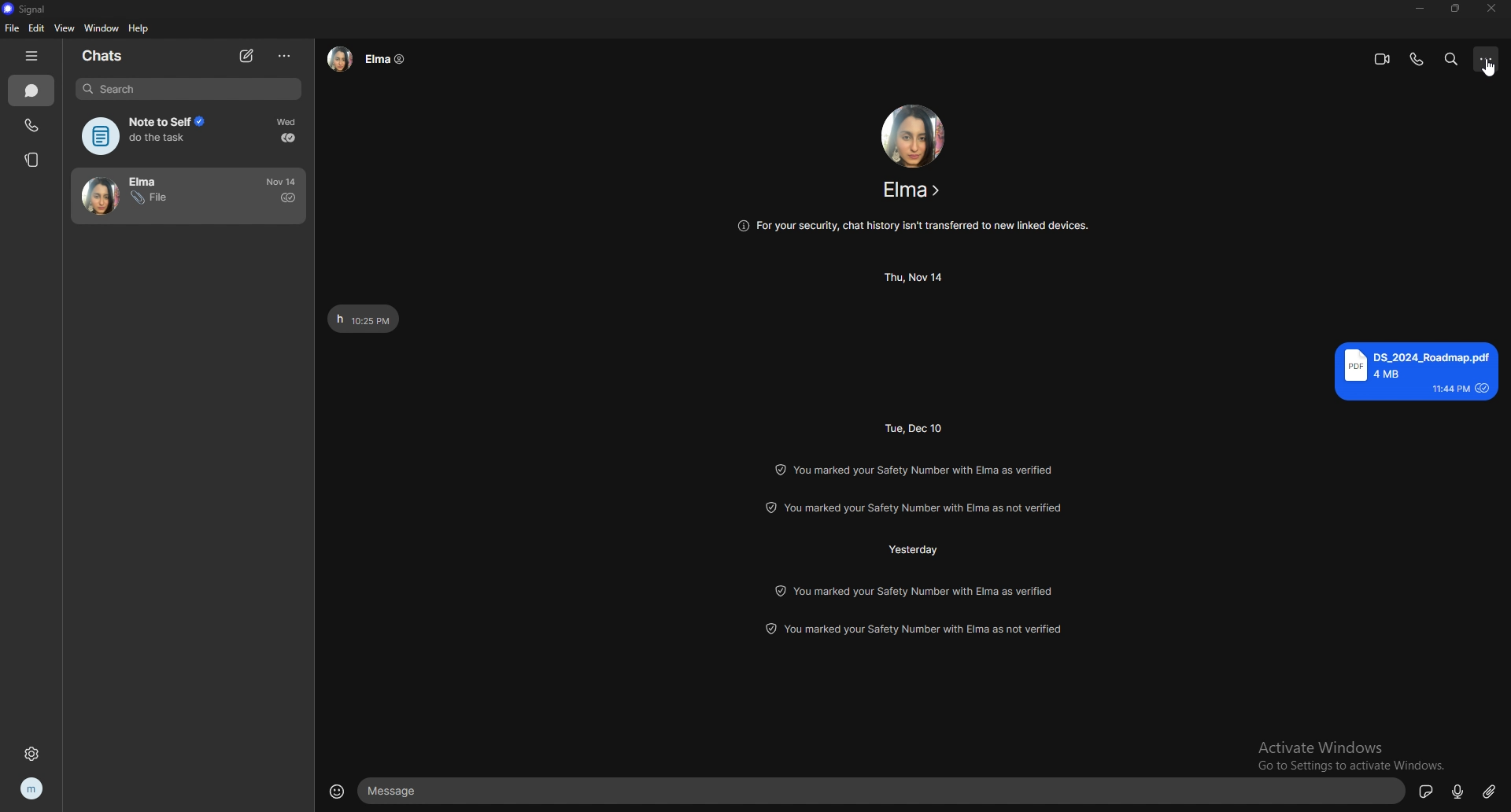 The height and width of the screenshot is (812, 1511). Describe the element at coordinates (1493, 8) in the screenshot. I see `close` at that location.